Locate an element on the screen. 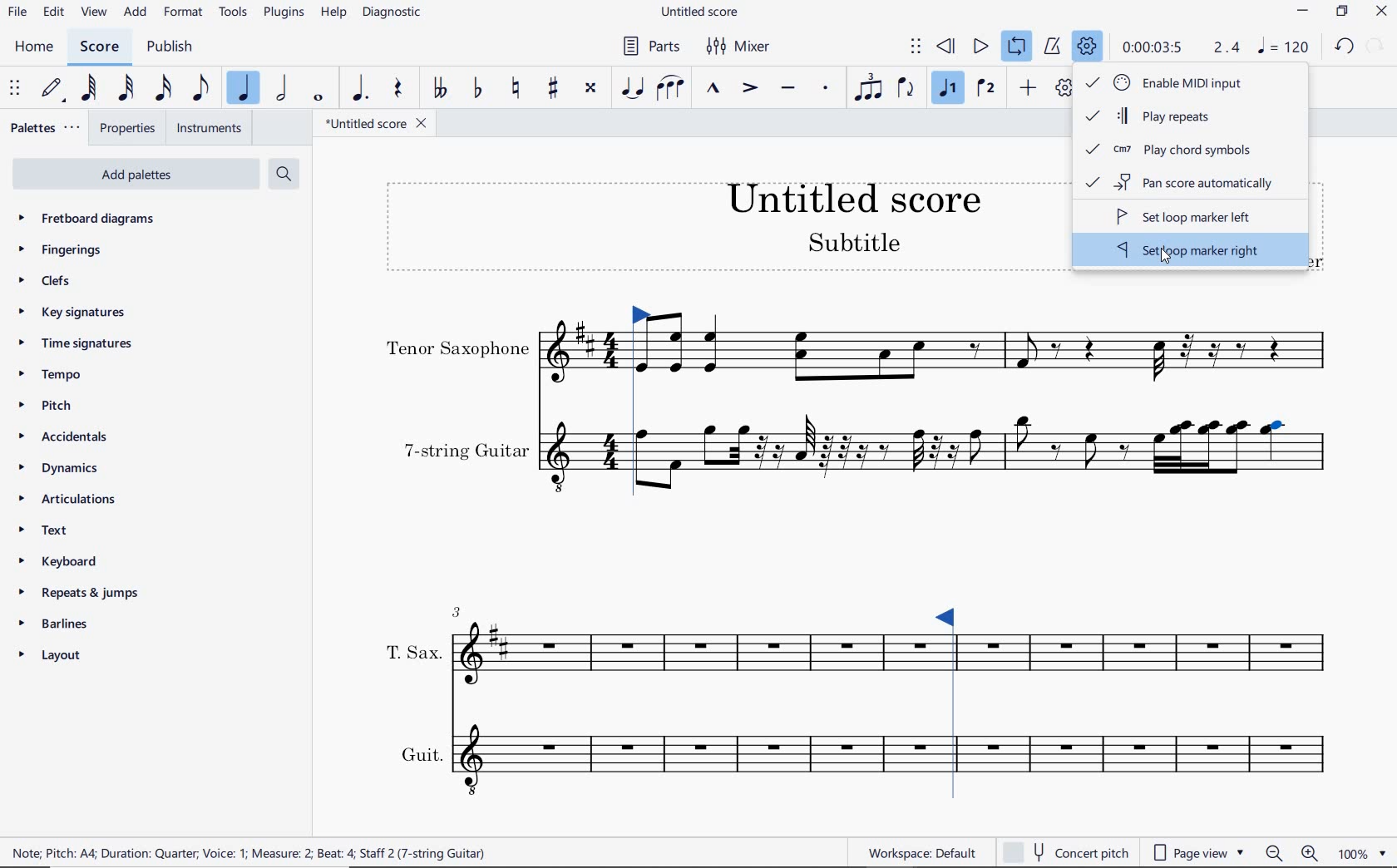  REDO is located at coordinates (1377, 44).